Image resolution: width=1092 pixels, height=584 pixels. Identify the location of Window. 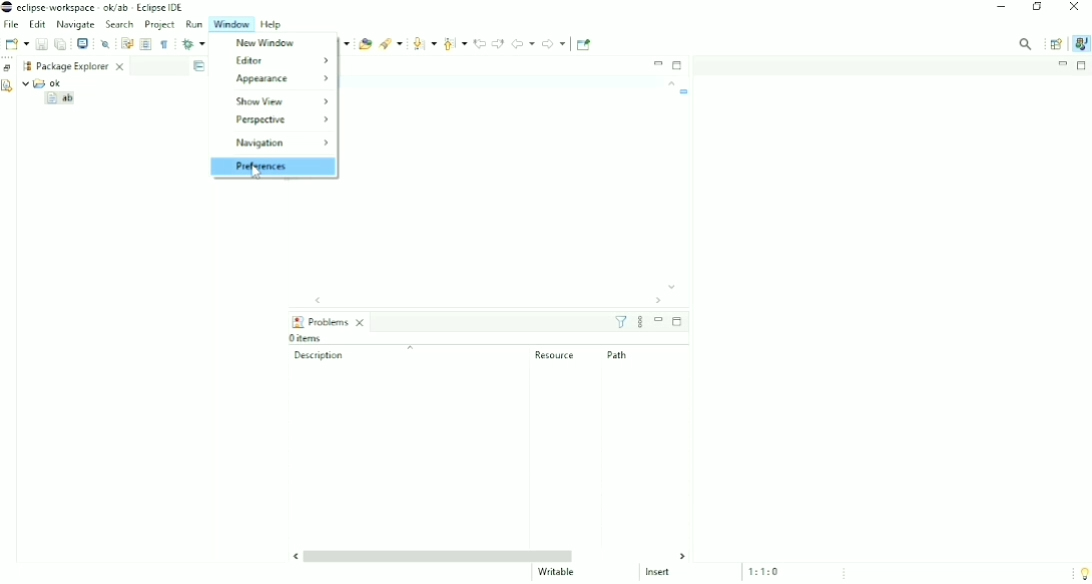
(231, 24).